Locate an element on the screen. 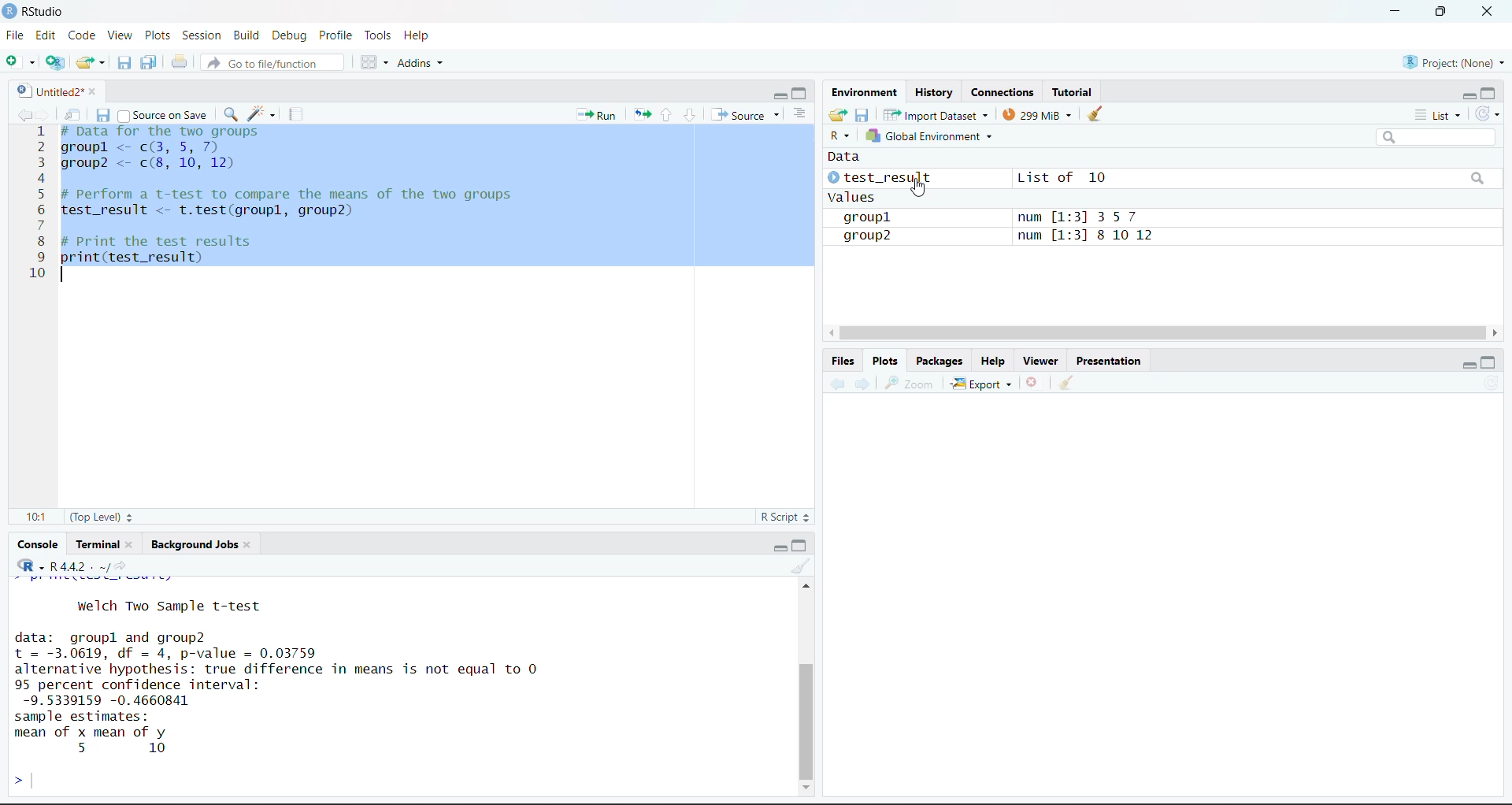  Files is located at coordinates (843, 361).